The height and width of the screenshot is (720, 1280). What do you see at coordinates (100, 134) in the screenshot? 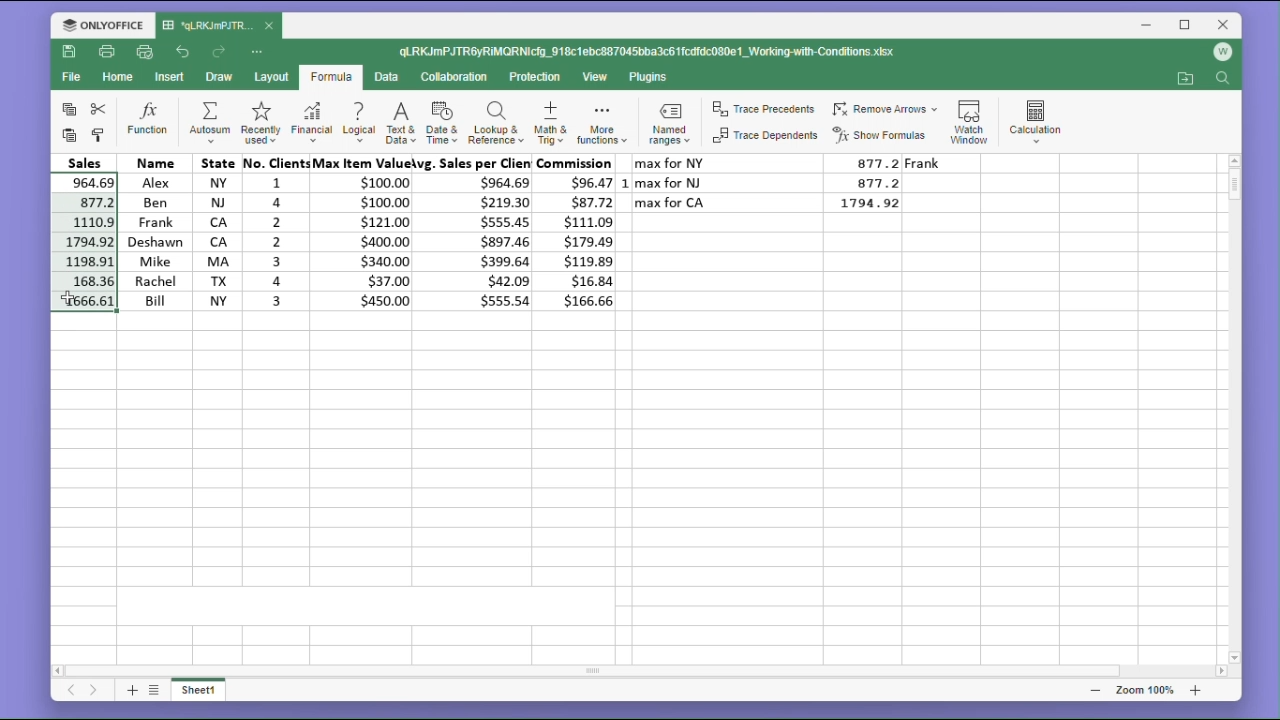
I see `format painter` at bounding box center [100, 134].